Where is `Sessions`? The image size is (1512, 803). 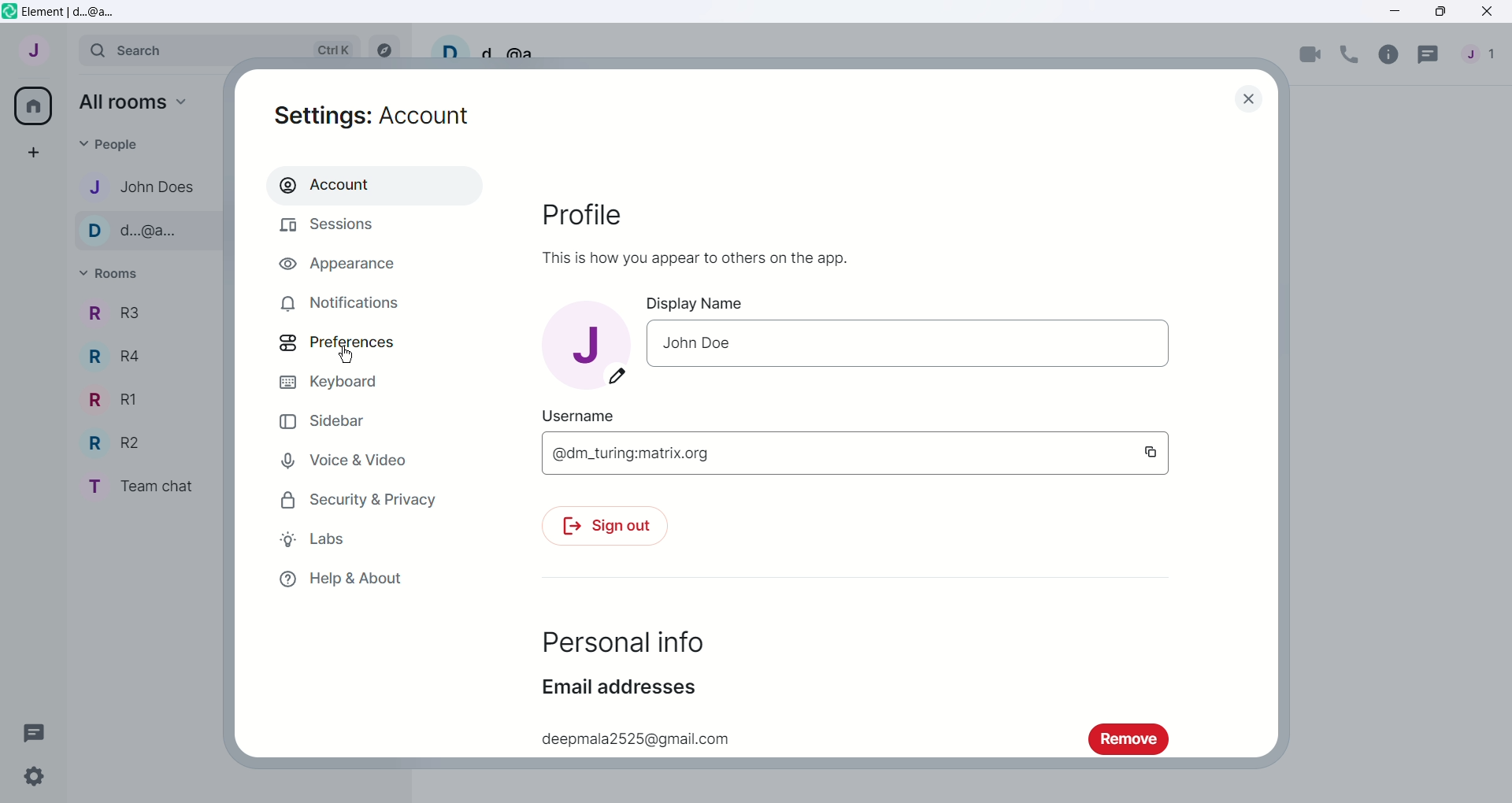
Sessions is located at coordinates (369, 226).